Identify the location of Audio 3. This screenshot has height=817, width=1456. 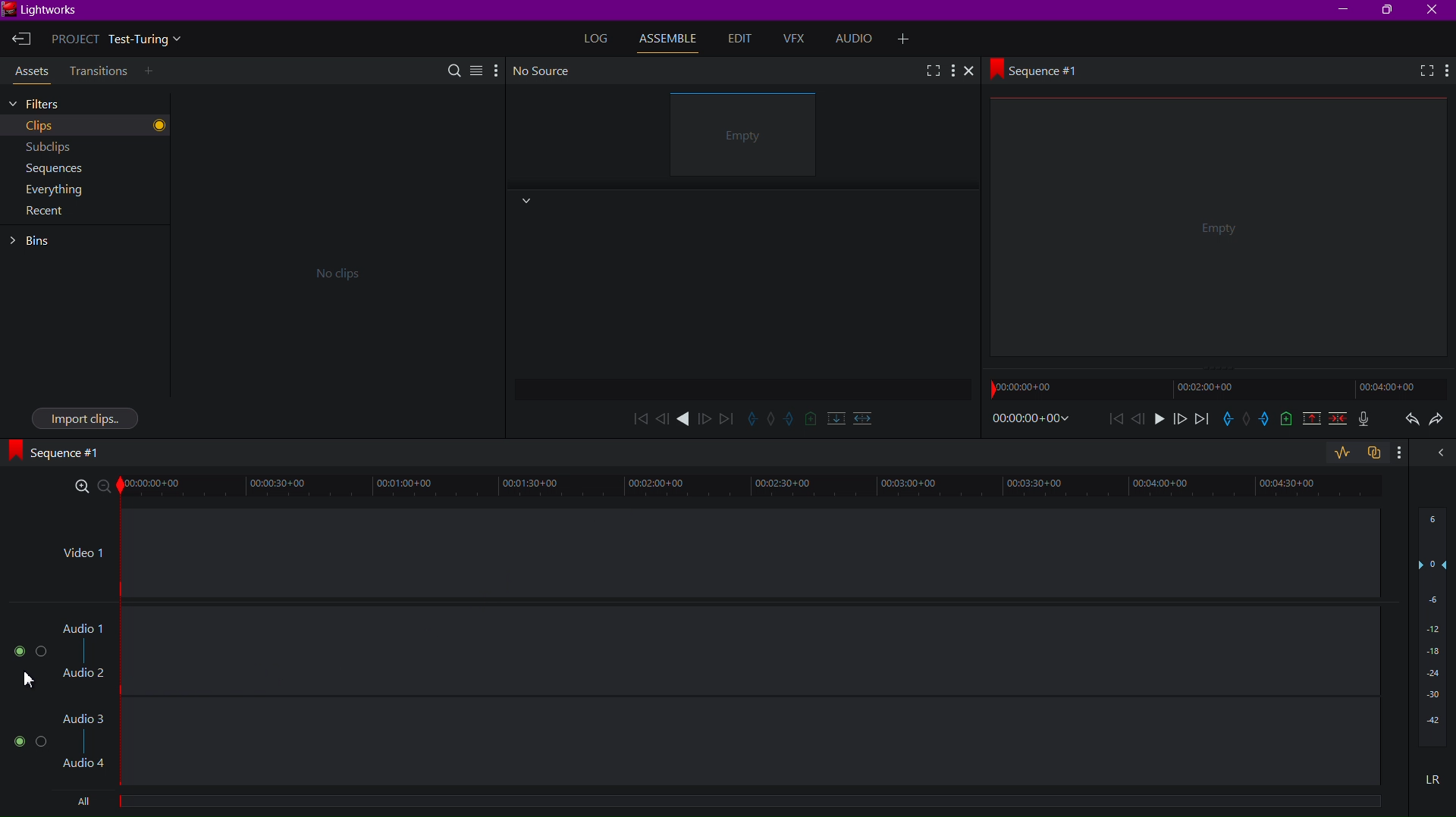
(84, 721).